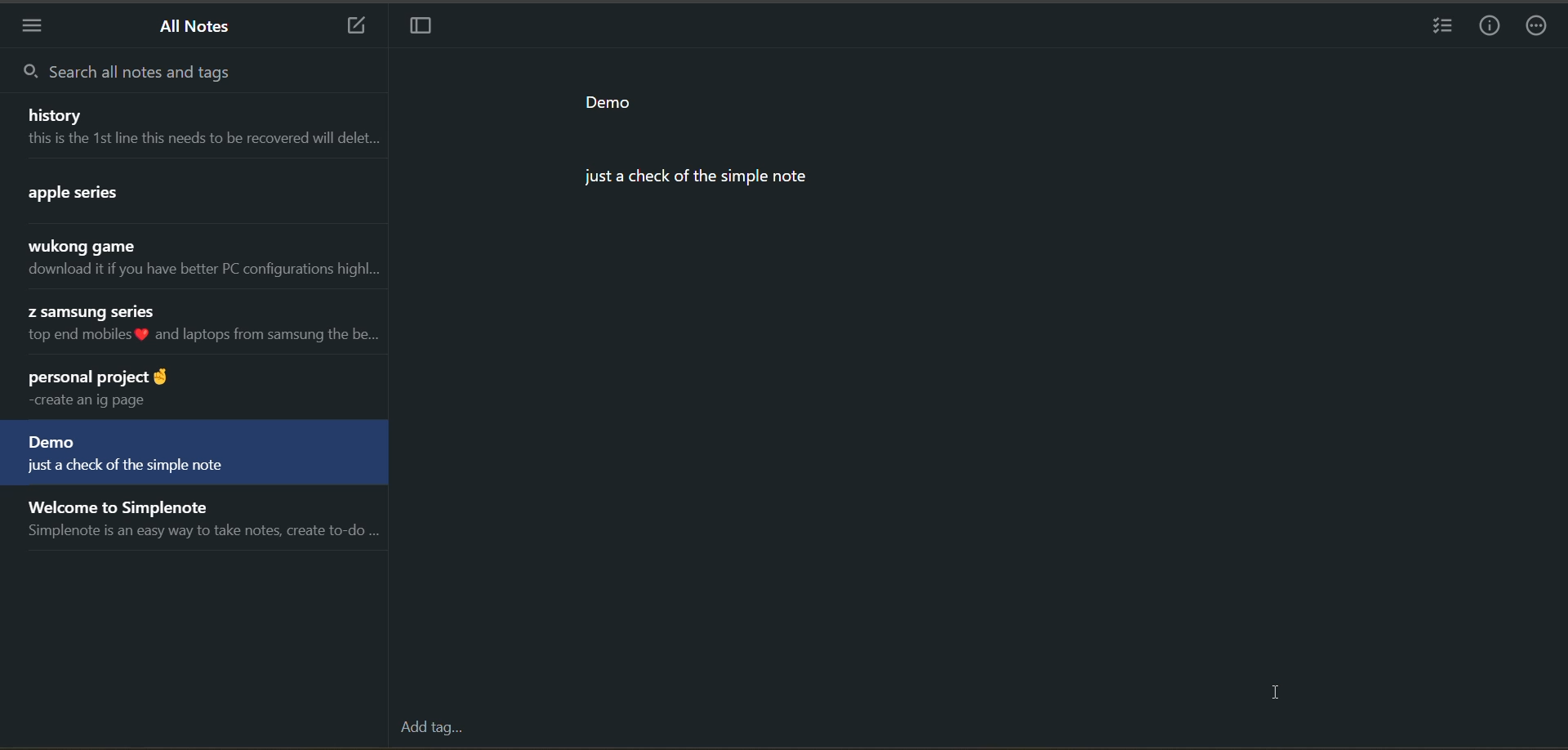 This screenshot has height=750, width=1568. I want to click on cursor, so click(1278, 694).